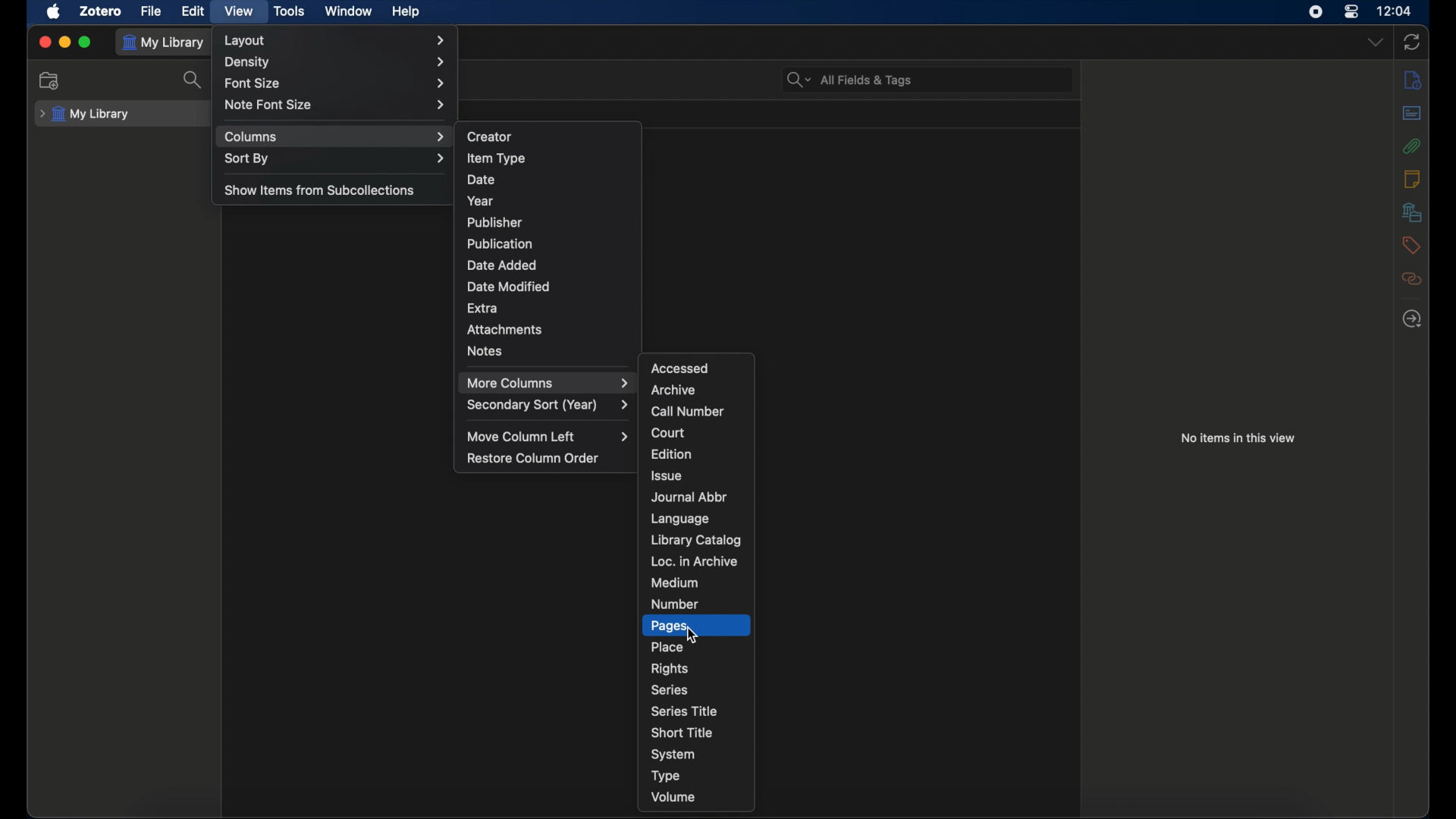  I want to click on short title, so click(682, 731).